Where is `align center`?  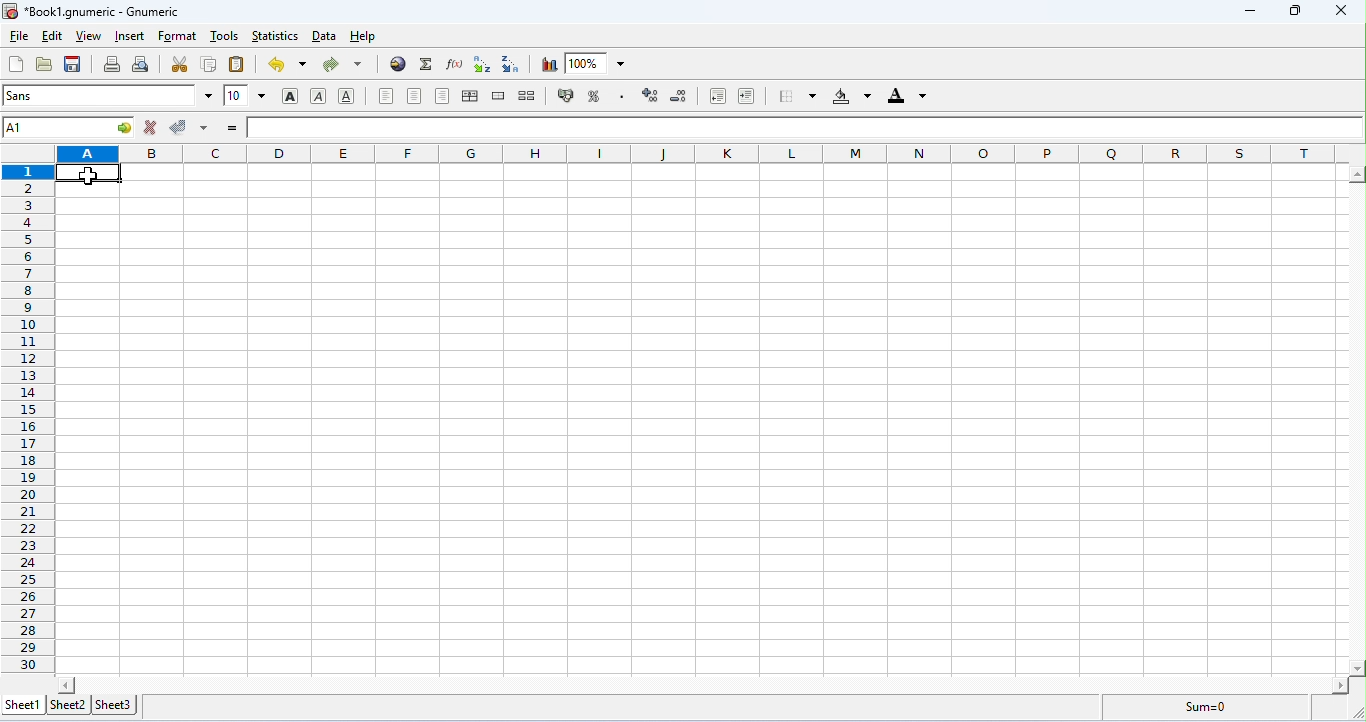 align center is located at coordinates (415, 95).